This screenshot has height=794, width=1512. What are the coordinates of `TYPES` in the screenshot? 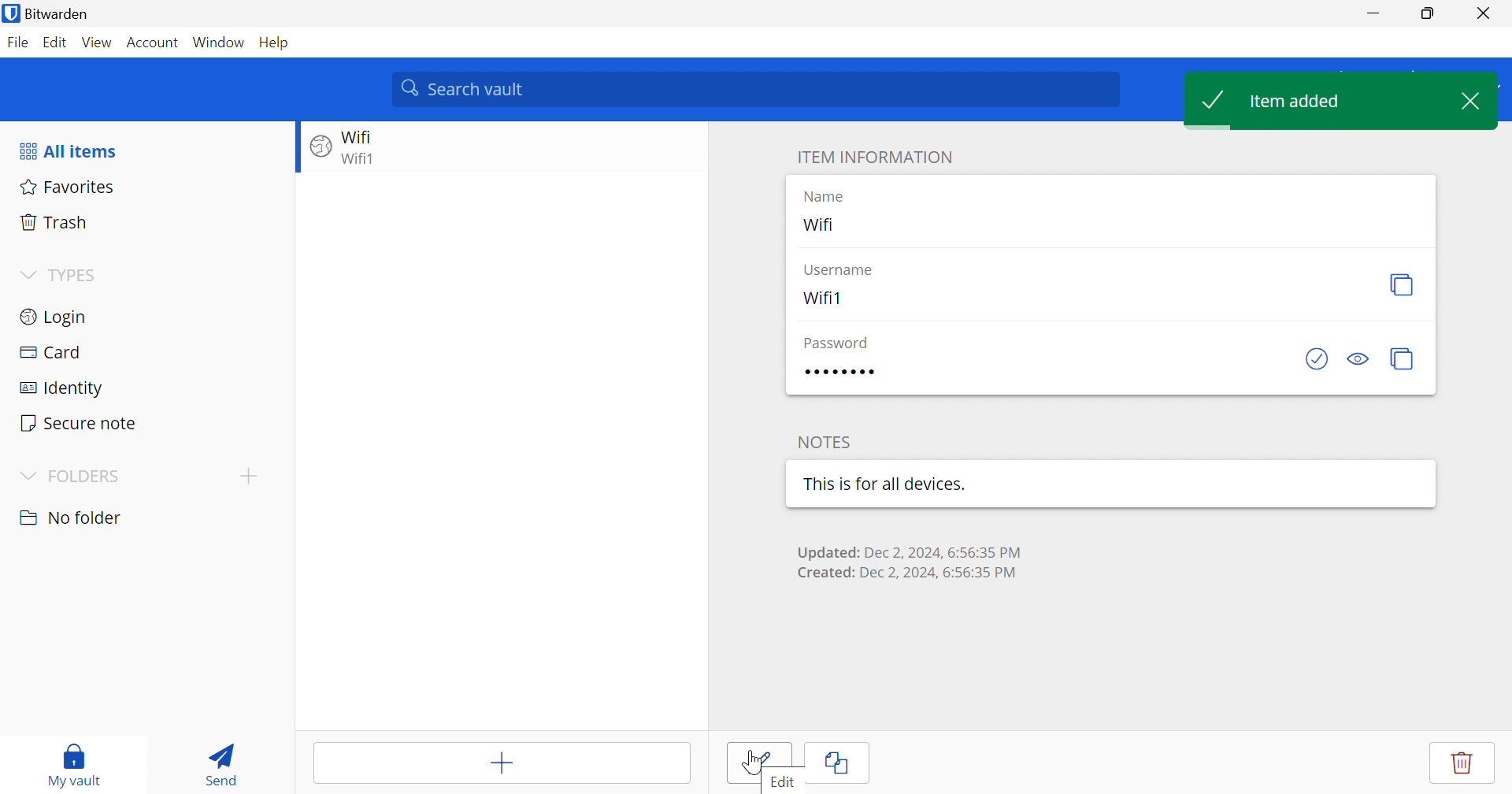 It's located at (76, 278).